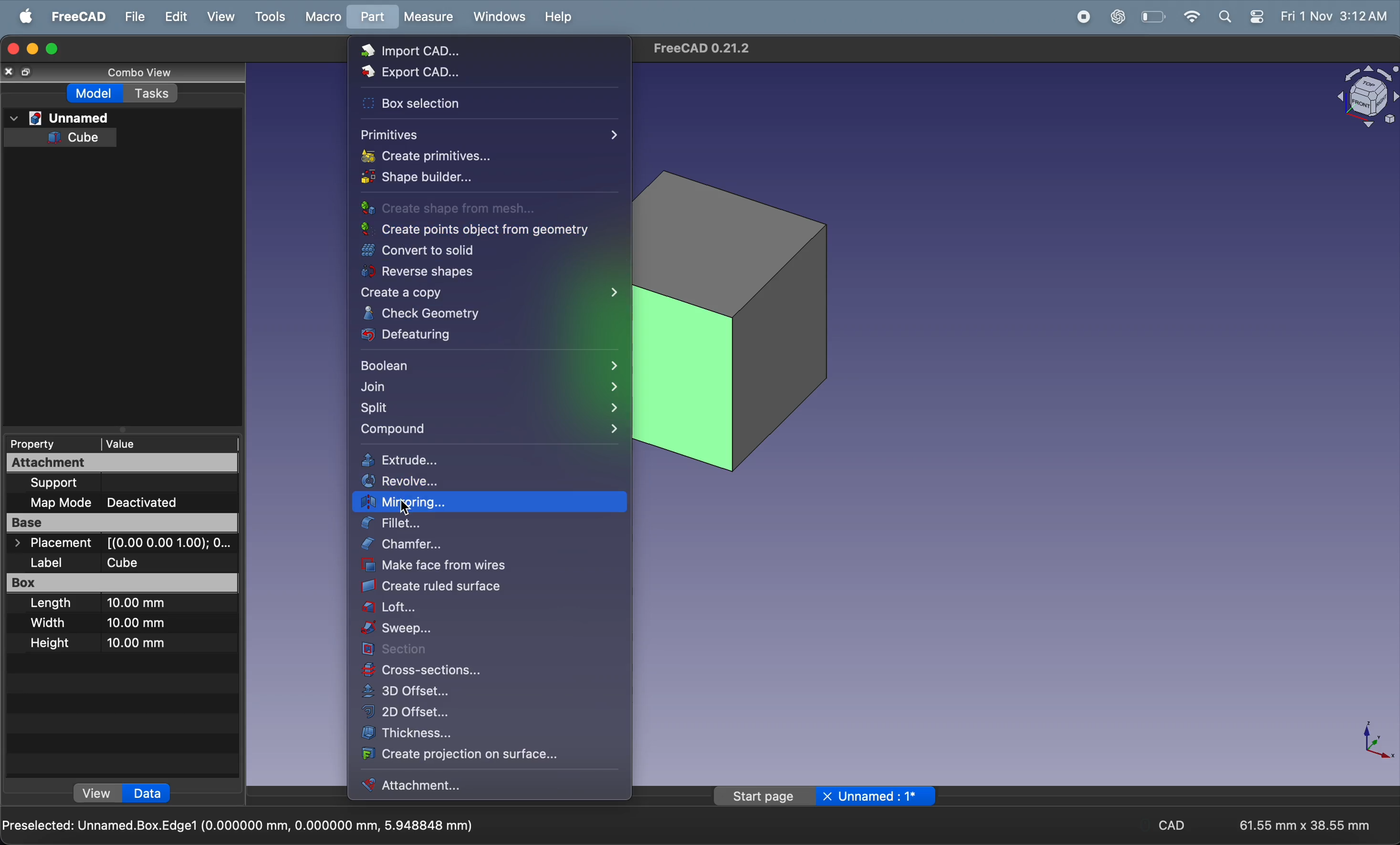 This screenshot has width=1400, height=845. Describe the element at coordinates (1305, 825) in the screenshot. I see `61.55 mm x 38.55 mm` at that location.